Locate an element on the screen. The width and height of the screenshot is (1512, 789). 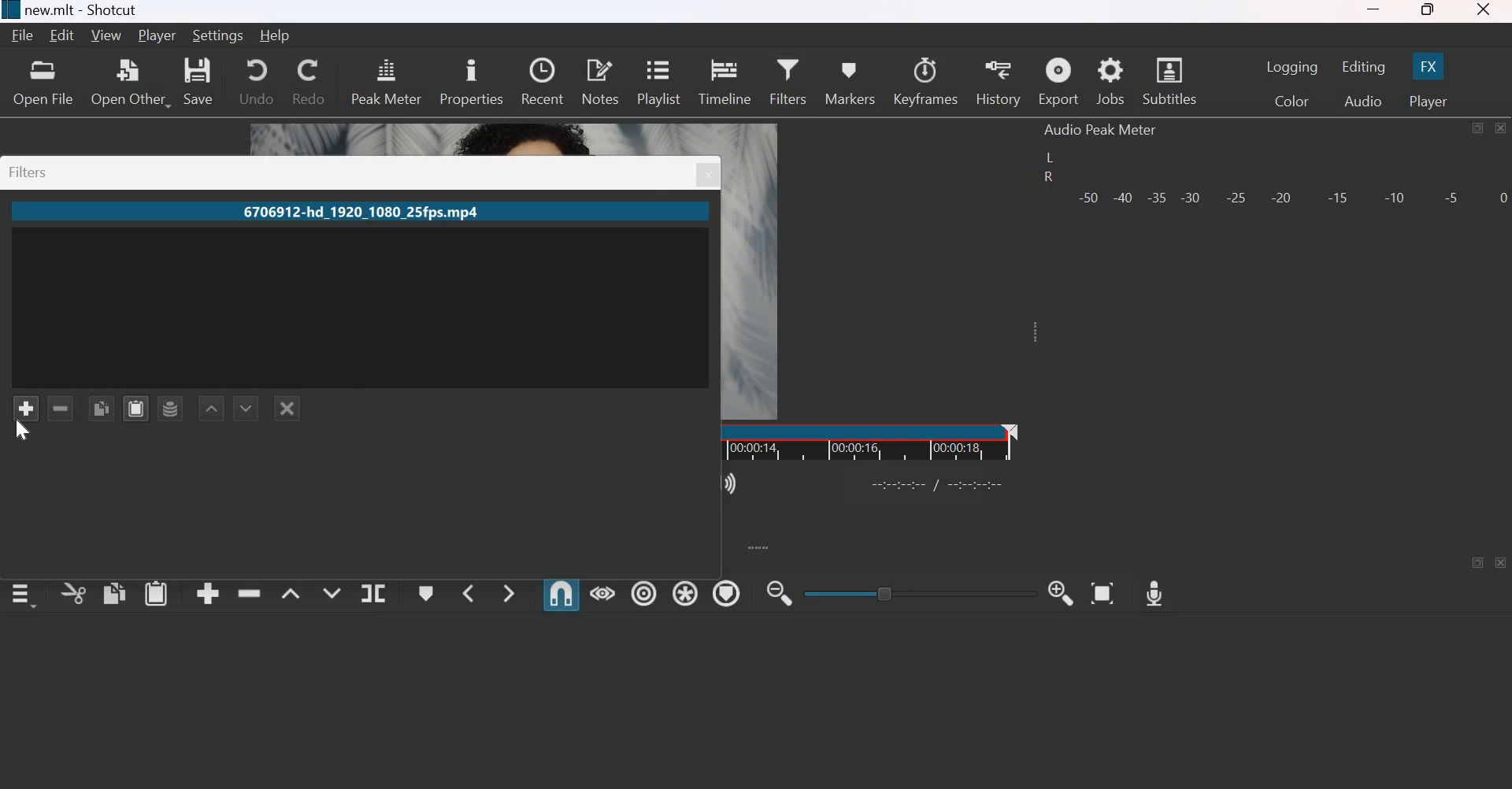
Previous Marker is located at coordinates (468, 592).